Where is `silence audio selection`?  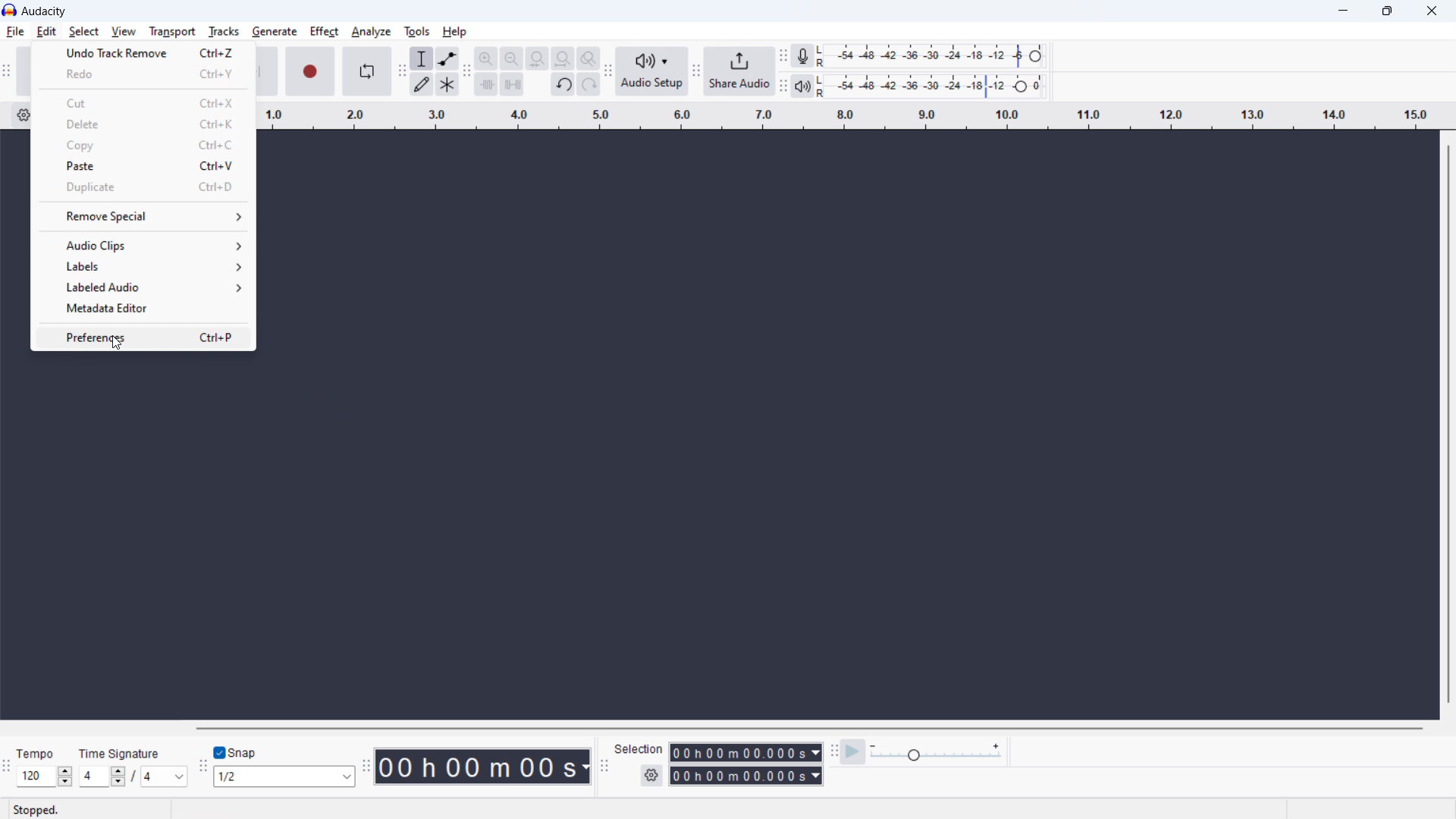
silence audio selection is located at coordinates (513, 83).